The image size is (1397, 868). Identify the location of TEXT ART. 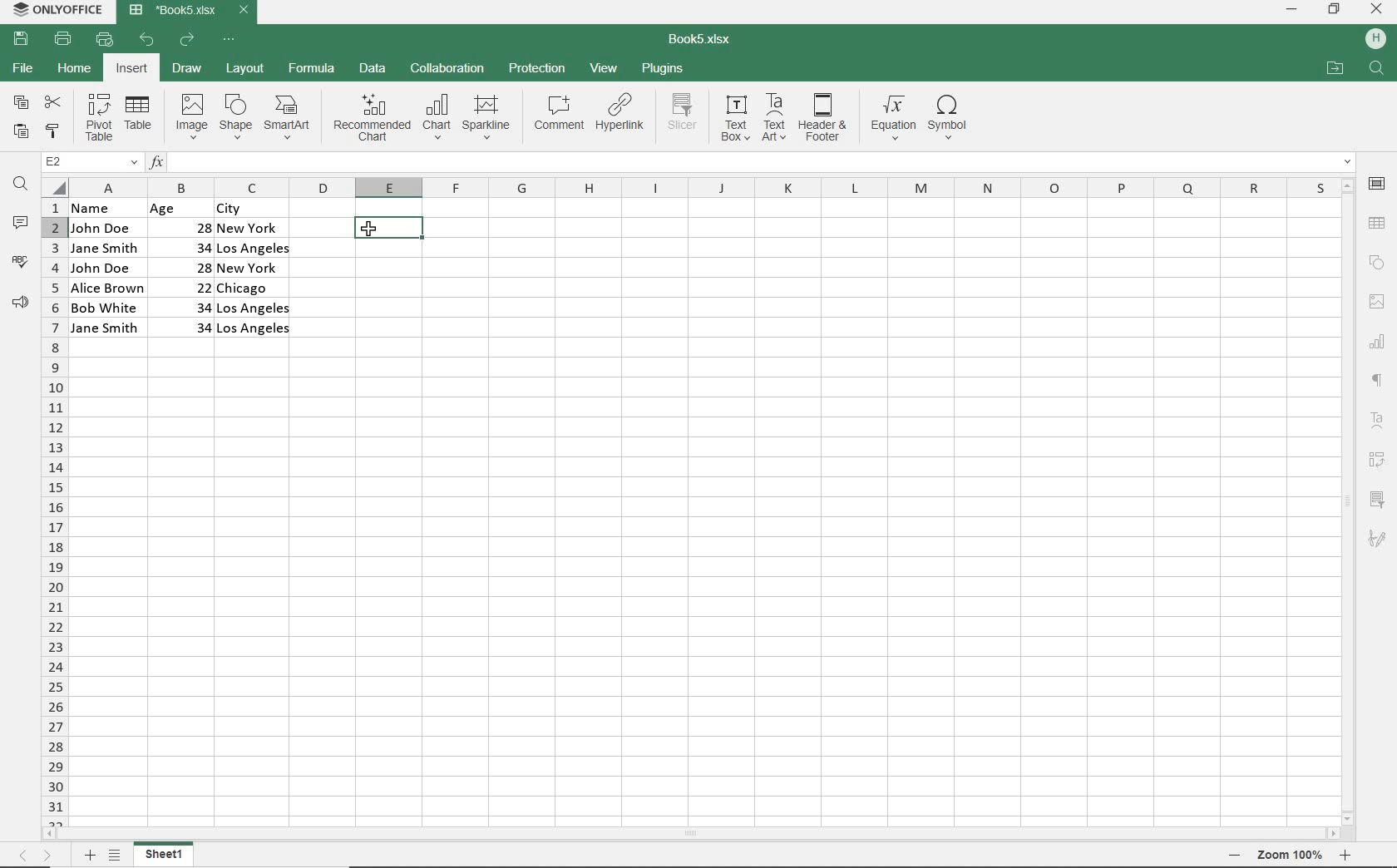
(1375, 417).